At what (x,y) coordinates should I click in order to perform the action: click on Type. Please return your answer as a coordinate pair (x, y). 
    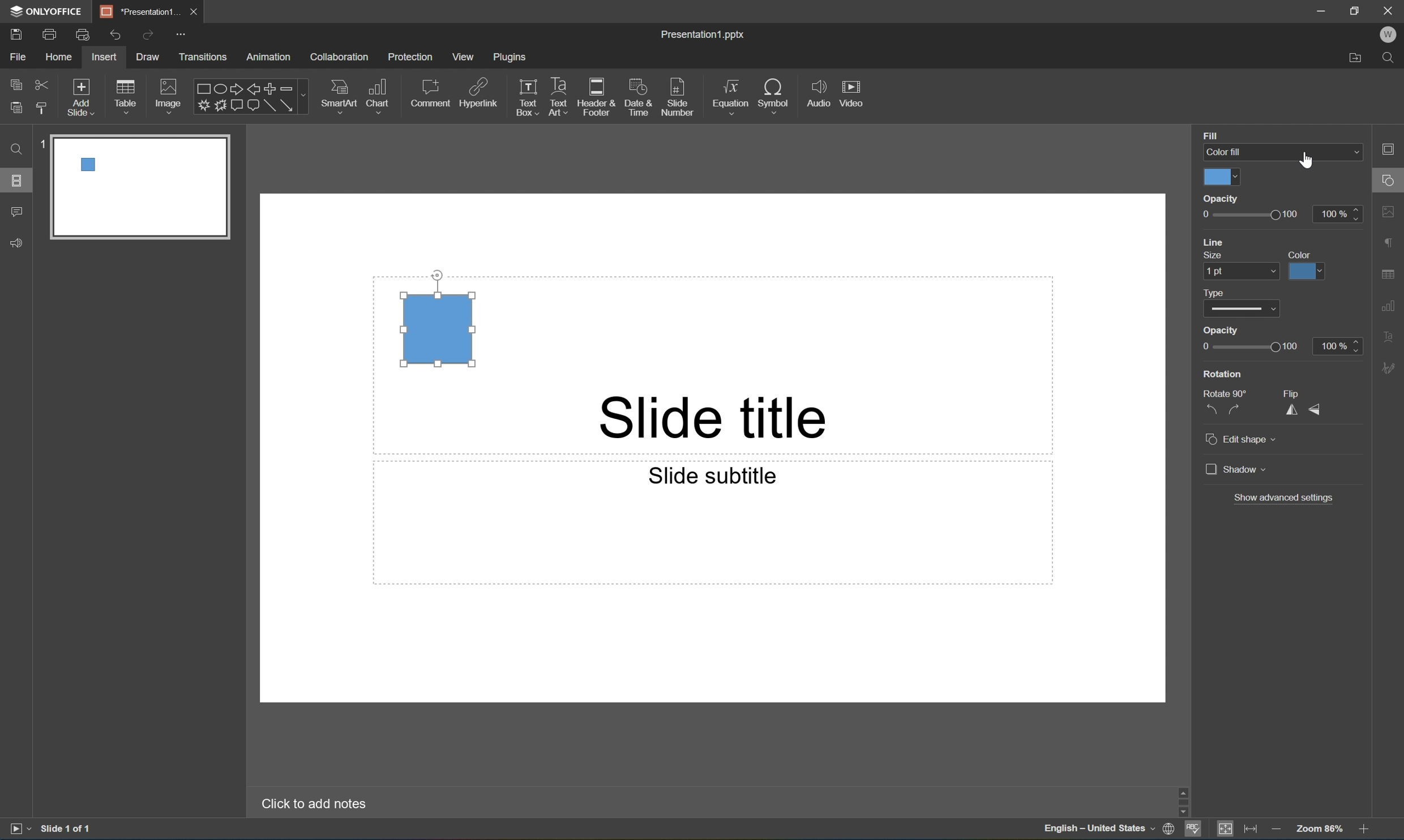
    Looking at the image, I should click on (1214, 292).